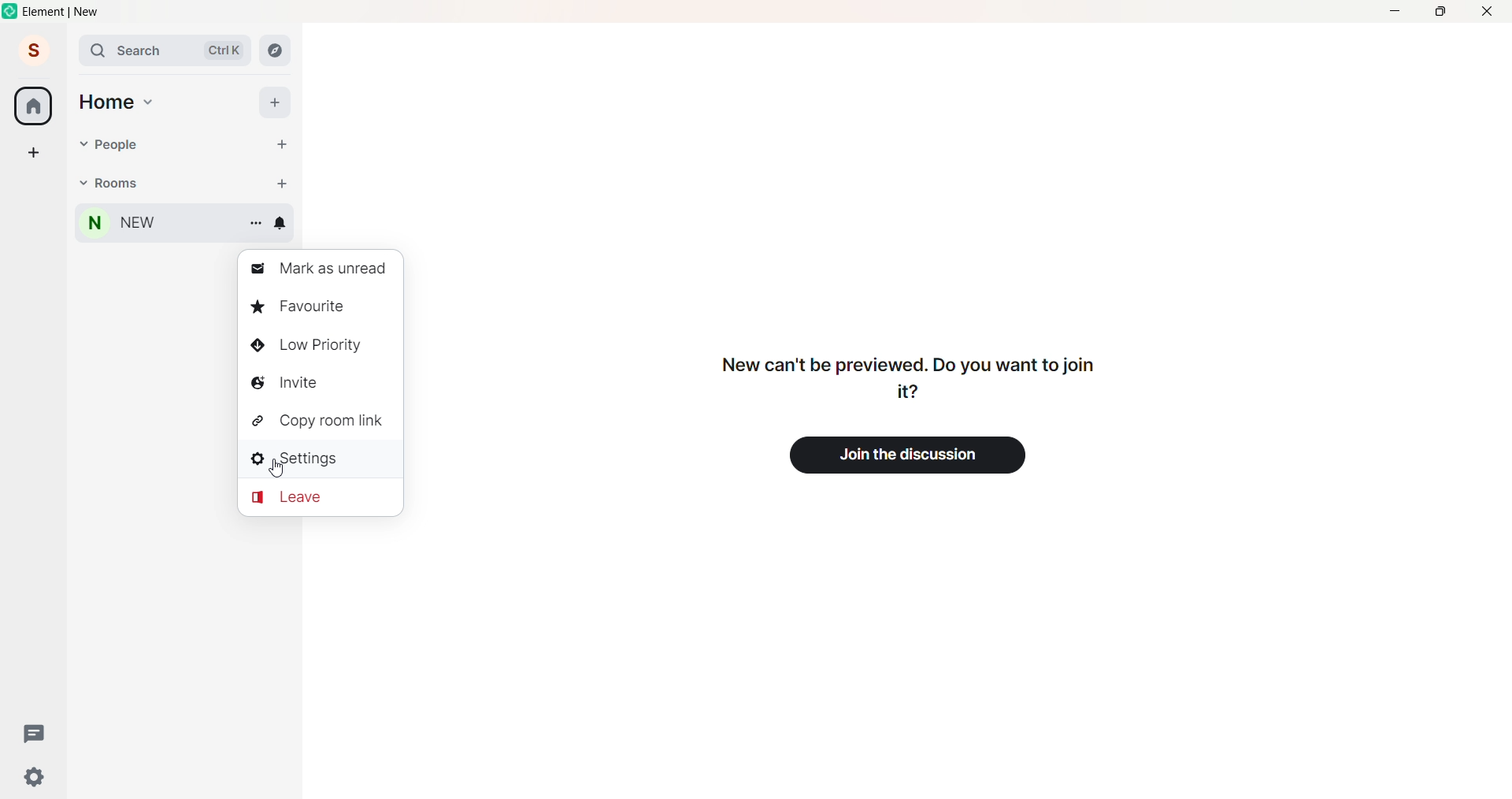 Image resolution: width=1512 pixels, height=799 pixels. What do you see at coordinates (311, 344) in the screenshot?
I see `low priority` at bounding box center [311, 344].